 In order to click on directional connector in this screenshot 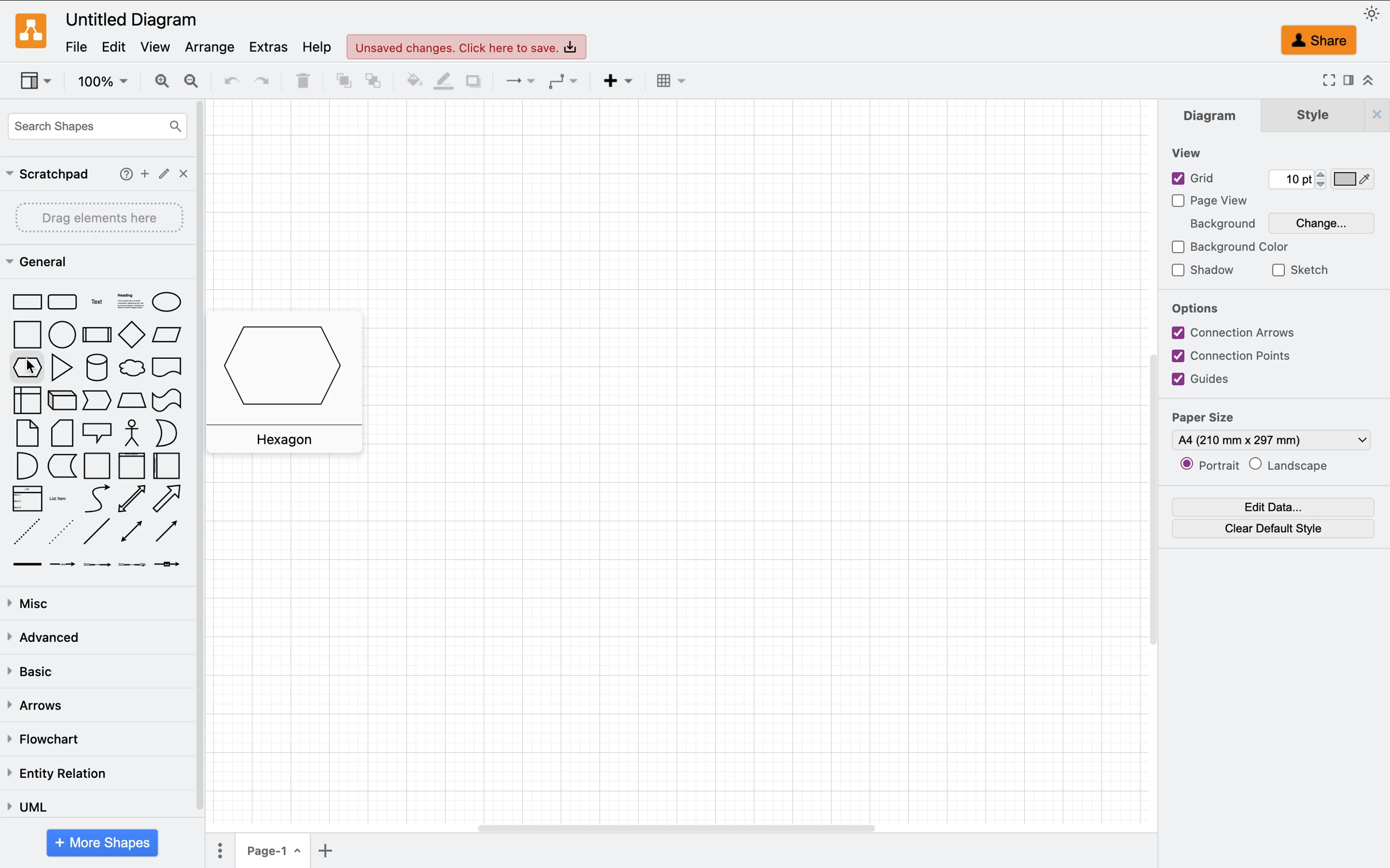, I will do `click(167, 532)`.